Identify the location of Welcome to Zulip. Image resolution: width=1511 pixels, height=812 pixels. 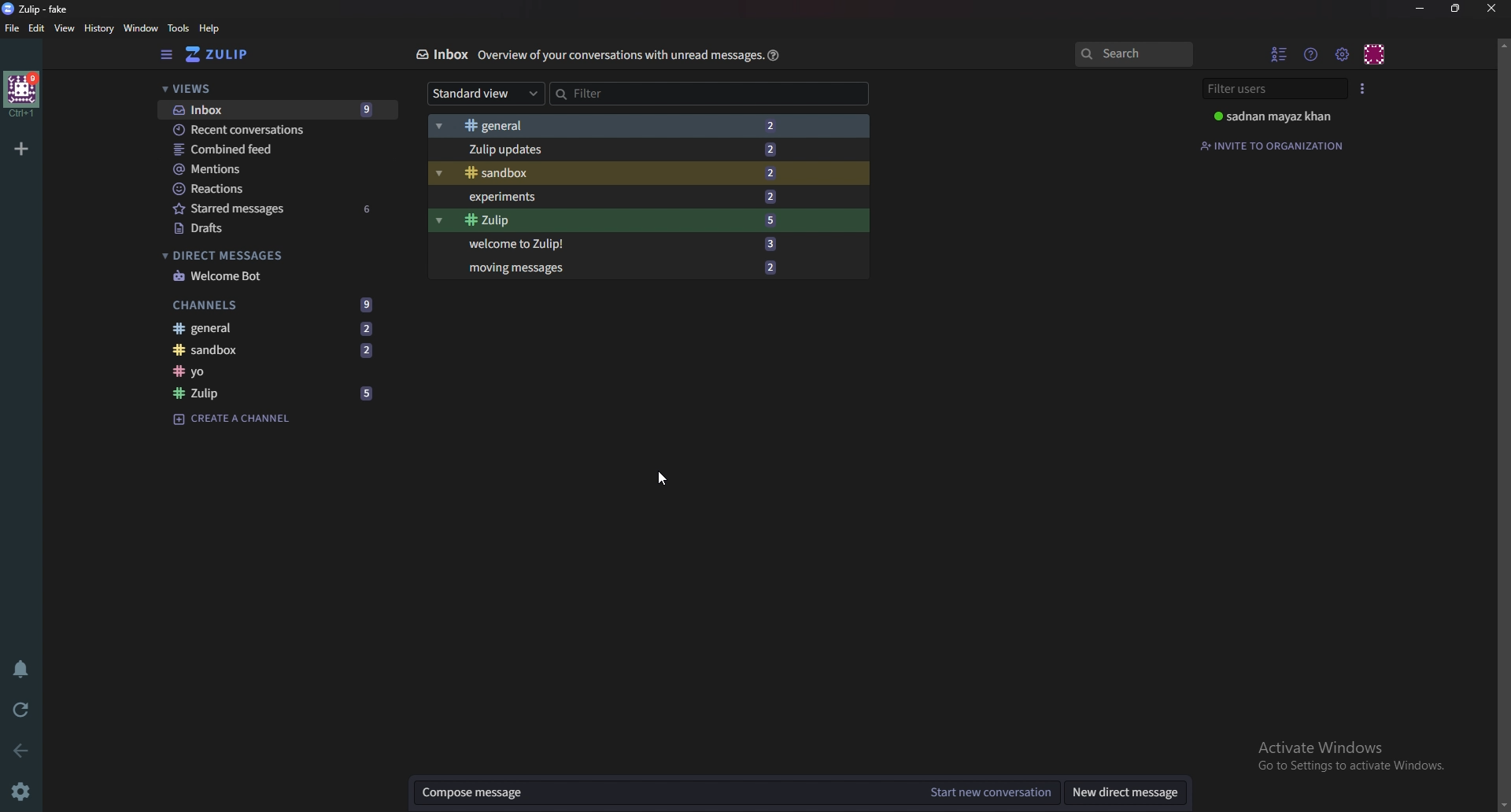
(622, 244).